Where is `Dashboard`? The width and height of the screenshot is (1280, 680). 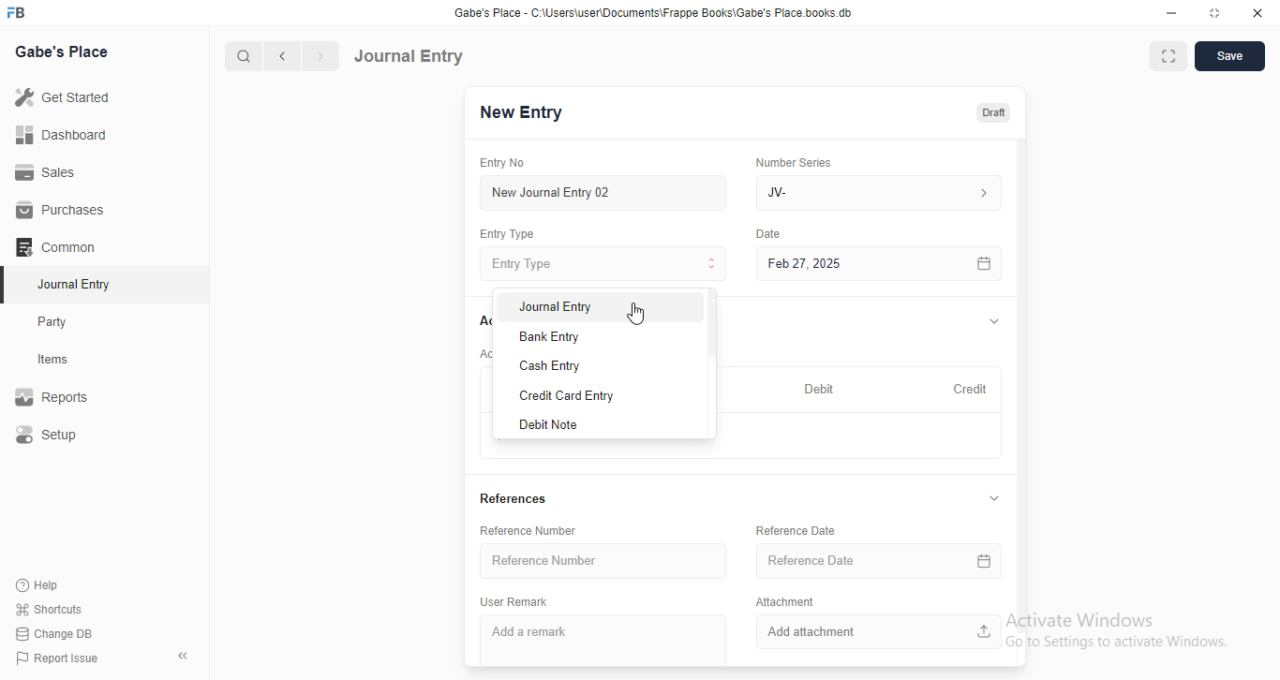
Dashboard is located at coordinates (62, 135).